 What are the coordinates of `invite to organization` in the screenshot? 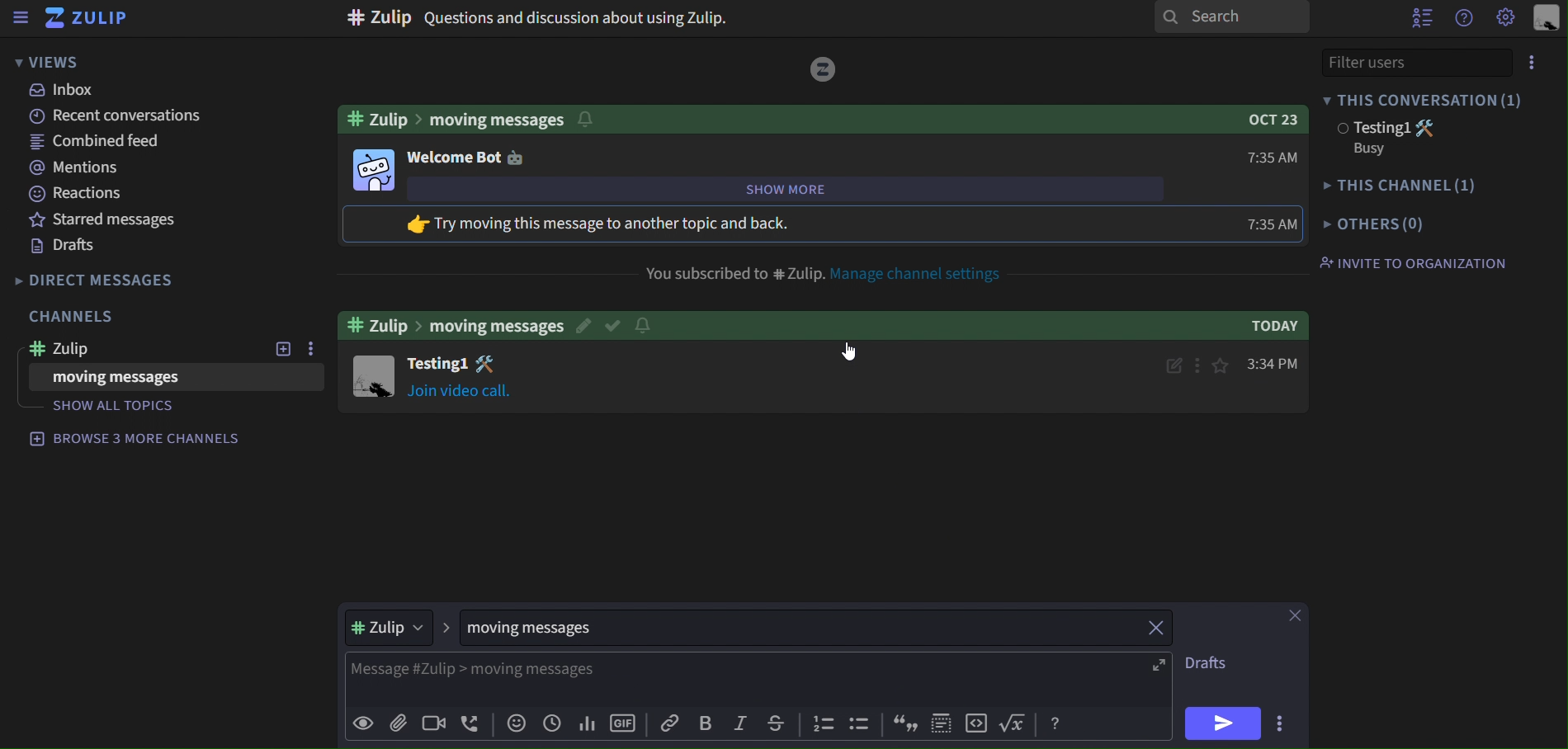 It's located at (1412, 262).